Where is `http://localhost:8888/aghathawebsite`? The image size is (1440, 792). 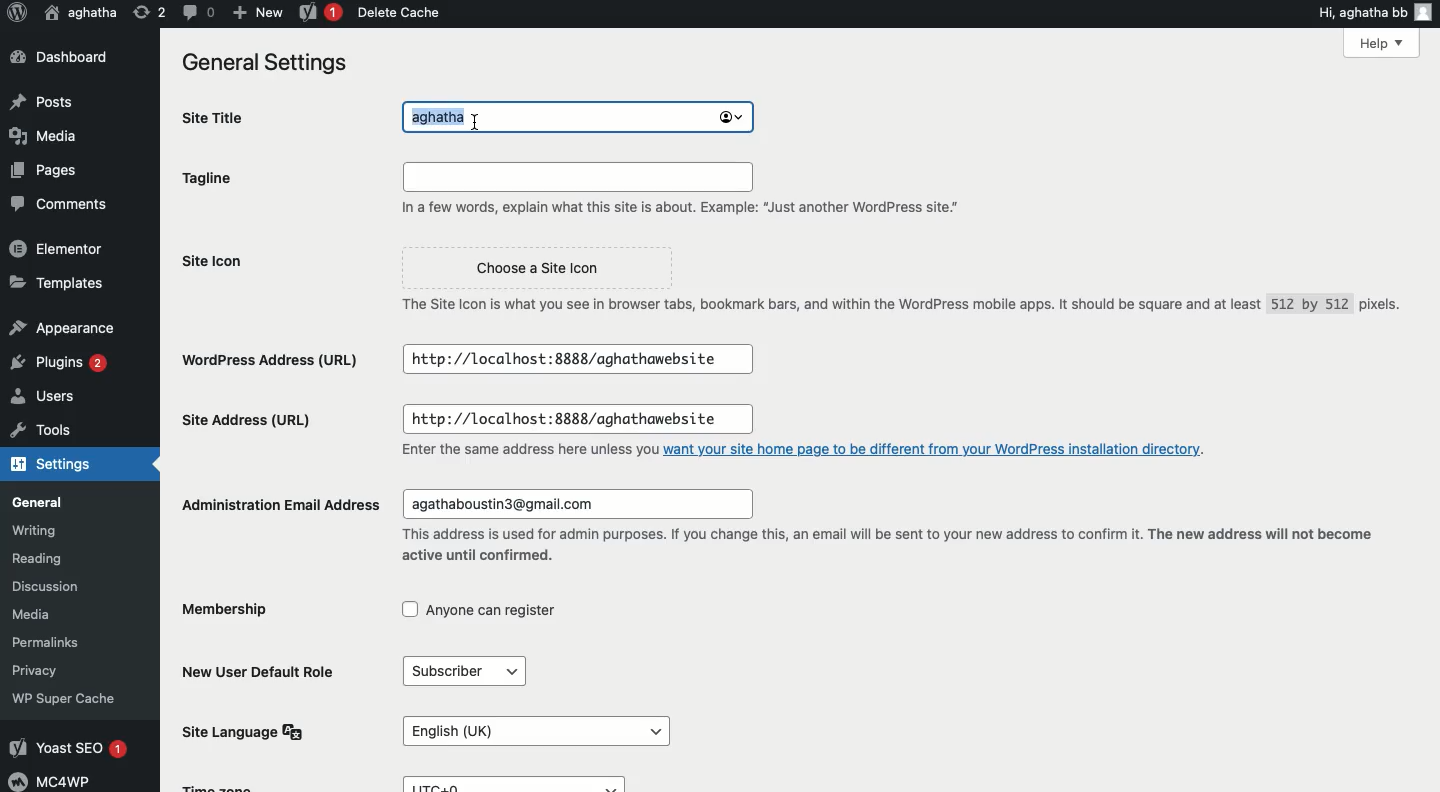 http://localhost:8888/aghathawebsite is located at coordinates (579, 419).